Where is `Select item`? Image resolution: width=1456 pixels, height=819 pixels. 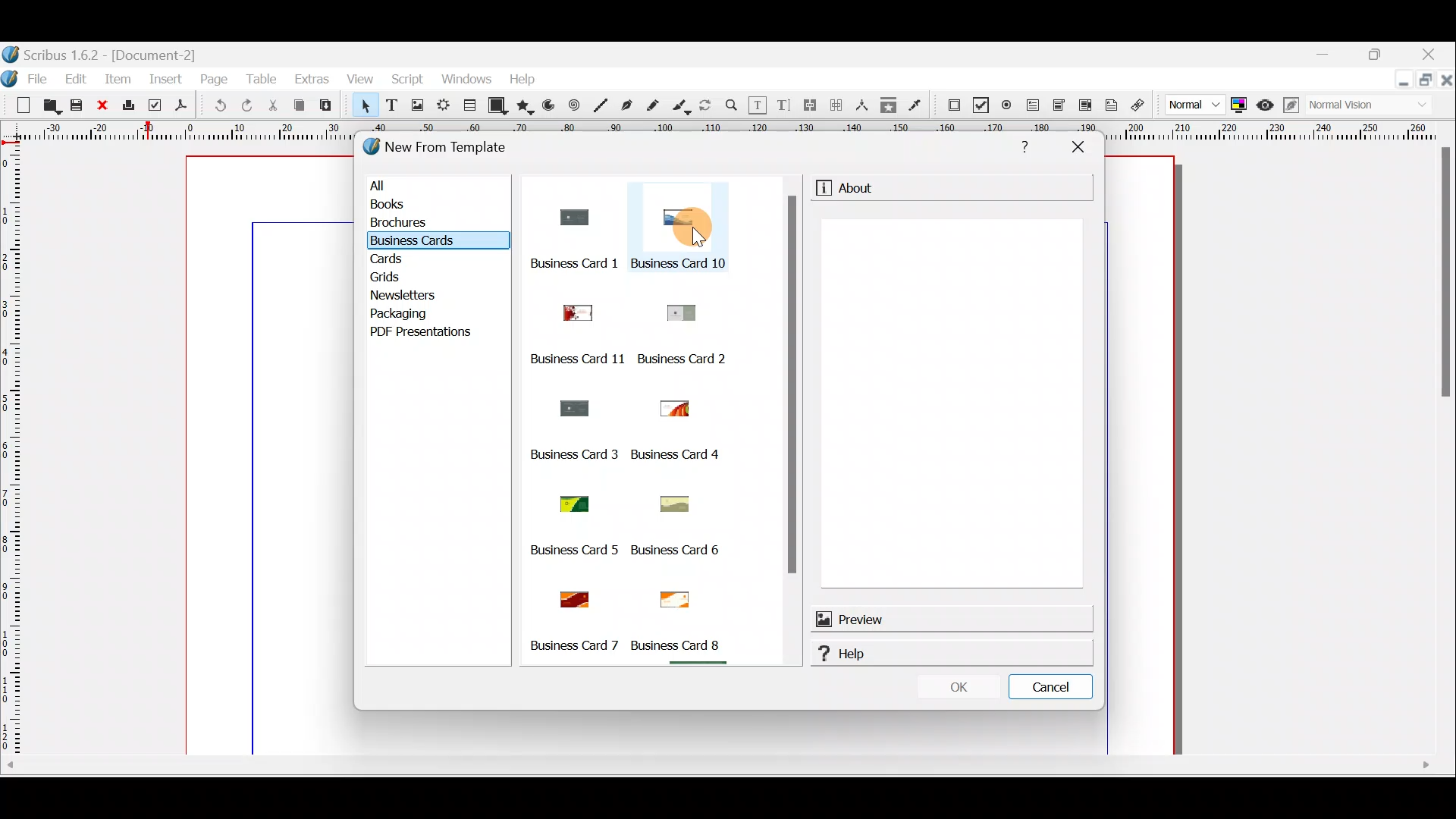
Select item is located at coordinates (366, 108).